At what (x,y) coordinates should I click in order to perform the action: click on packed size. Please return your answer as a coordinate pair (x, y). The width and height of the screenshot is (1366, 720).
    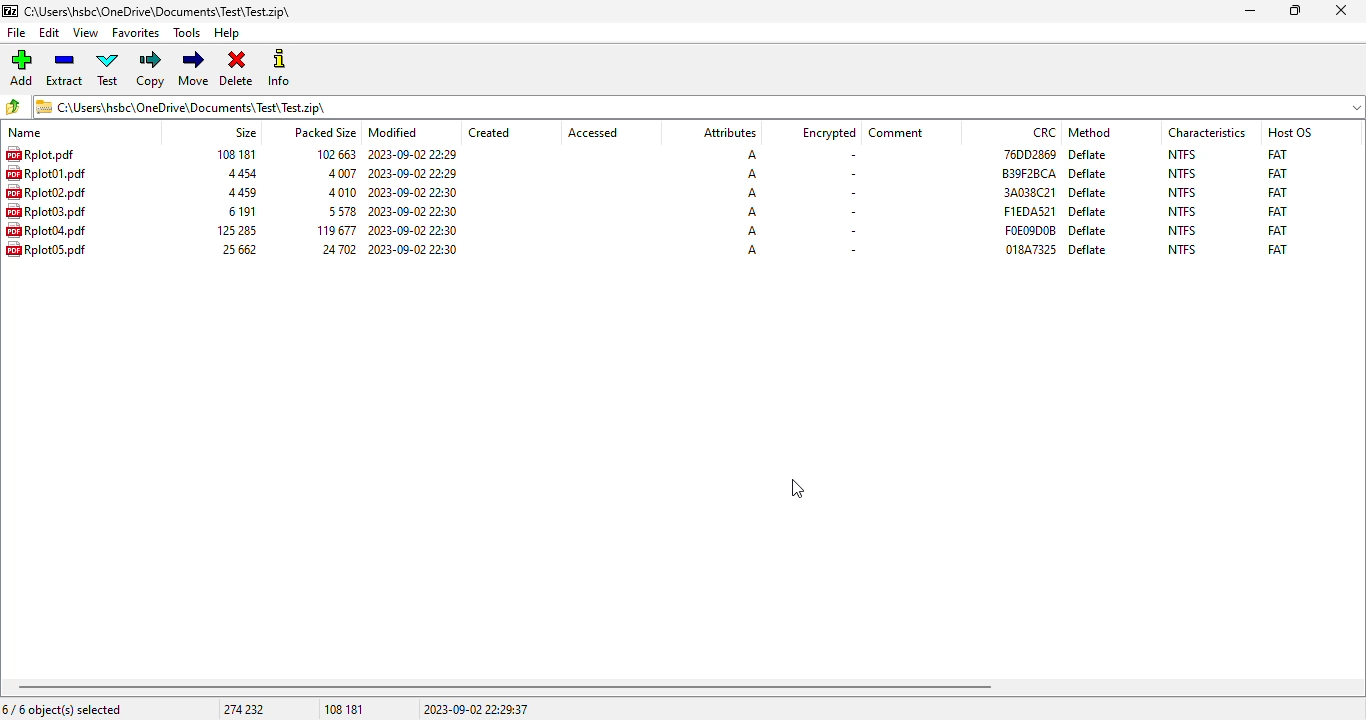
    Looking at the image, I should click on (333, 230).